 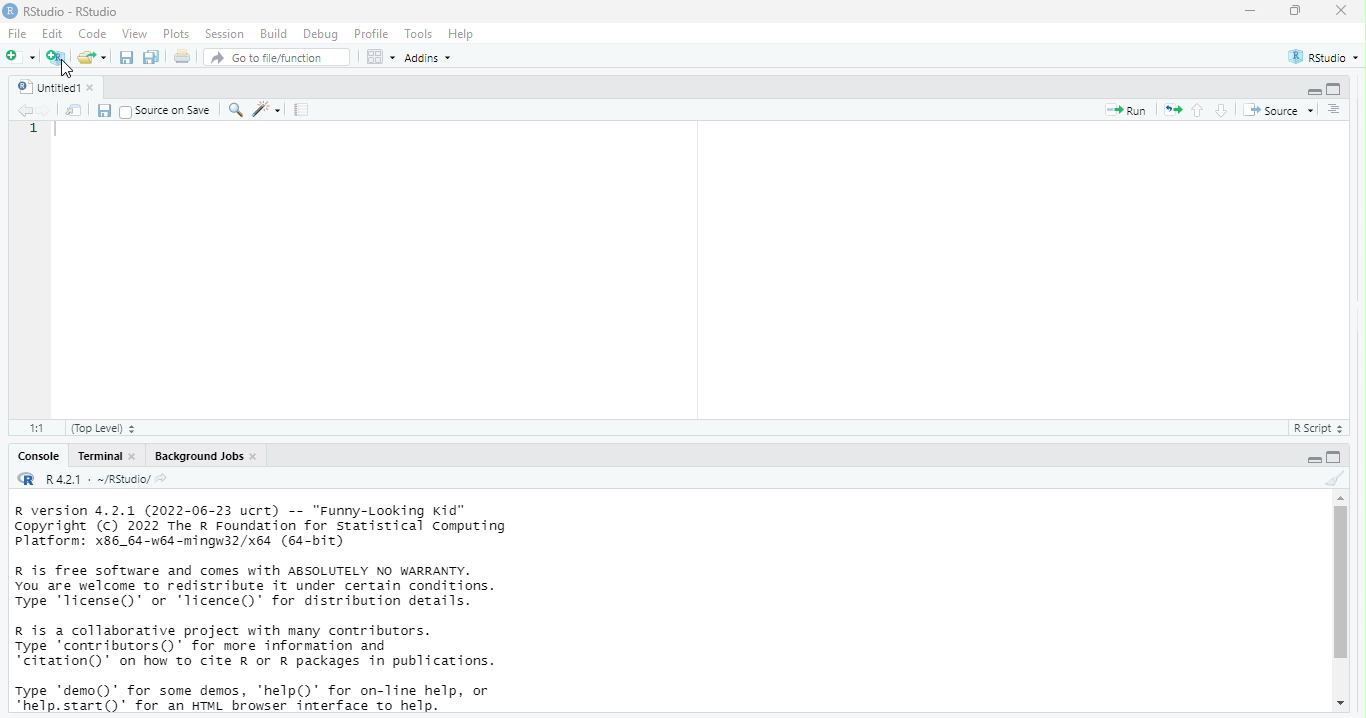 What do you see at coordinates (303, 110) in the screenshot?
I see `compile report` at bounding box center [303, 110].